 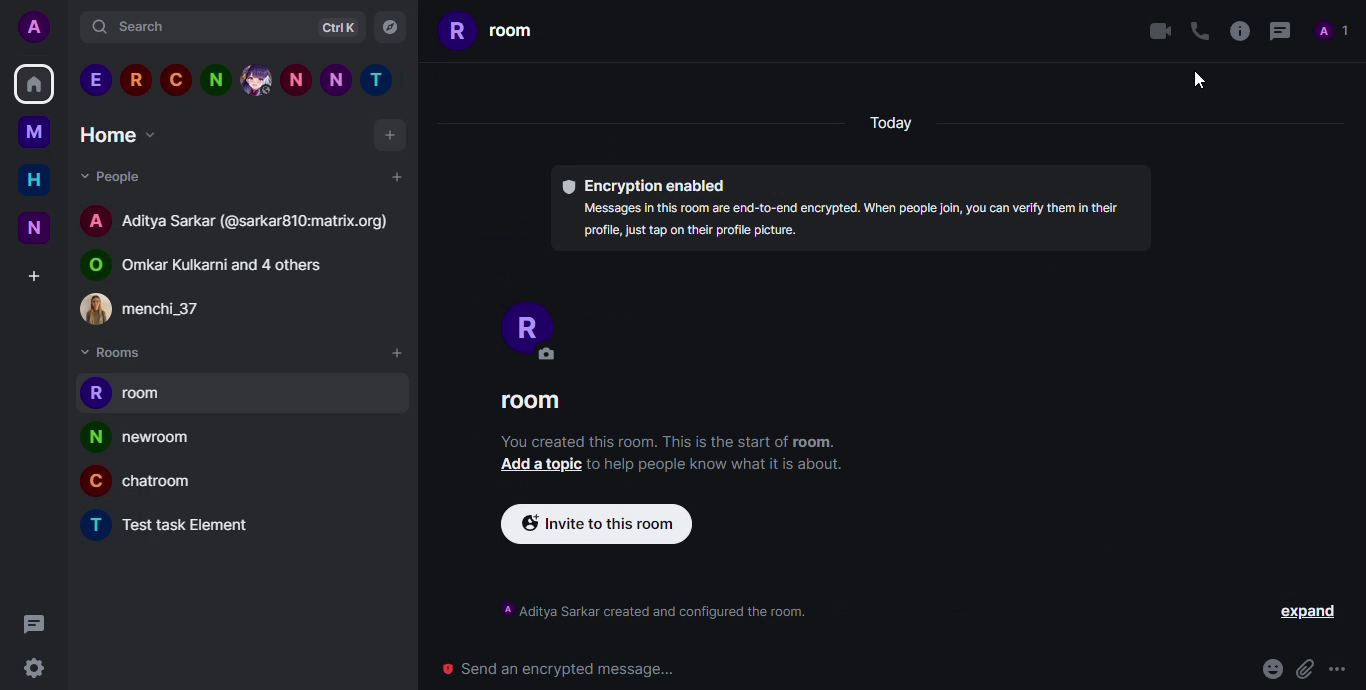 I want to click on profile image, so click(x=96, y=309).